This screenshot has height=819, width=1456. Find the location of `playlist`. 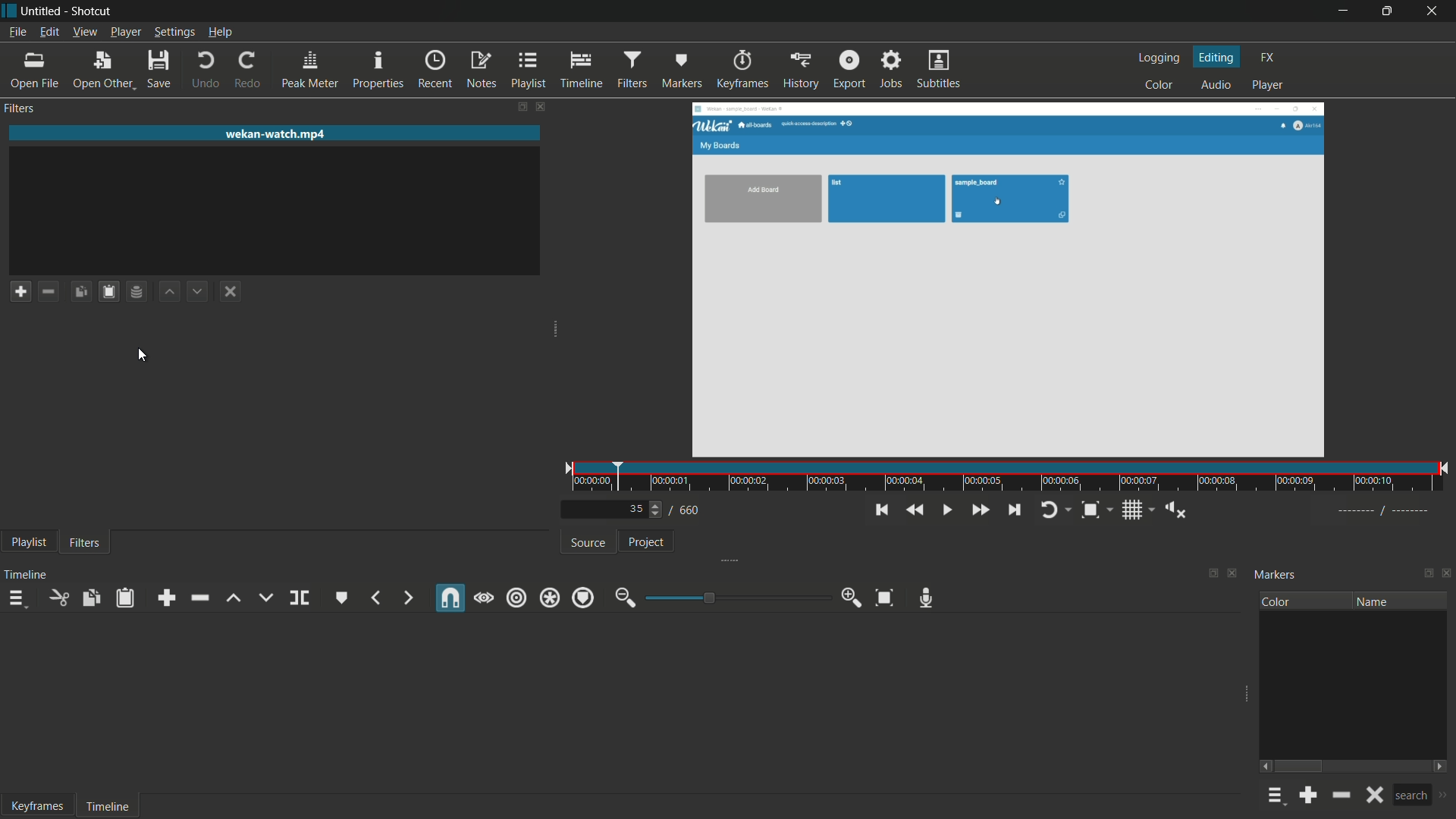

playlist is located at coordinates (29, 543).